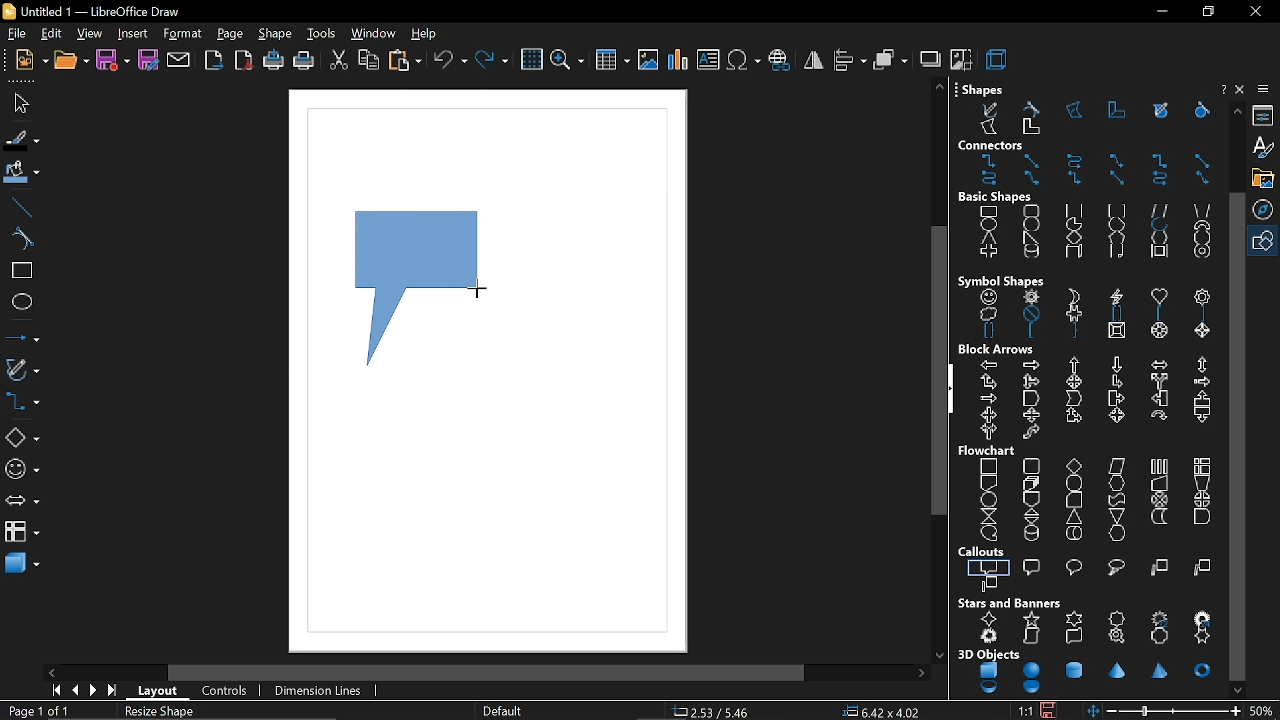 This screenshot has height=720, width=1280. Describe the element at coordinates (22, 172) in the screenshot. I see `fill color` at that location.